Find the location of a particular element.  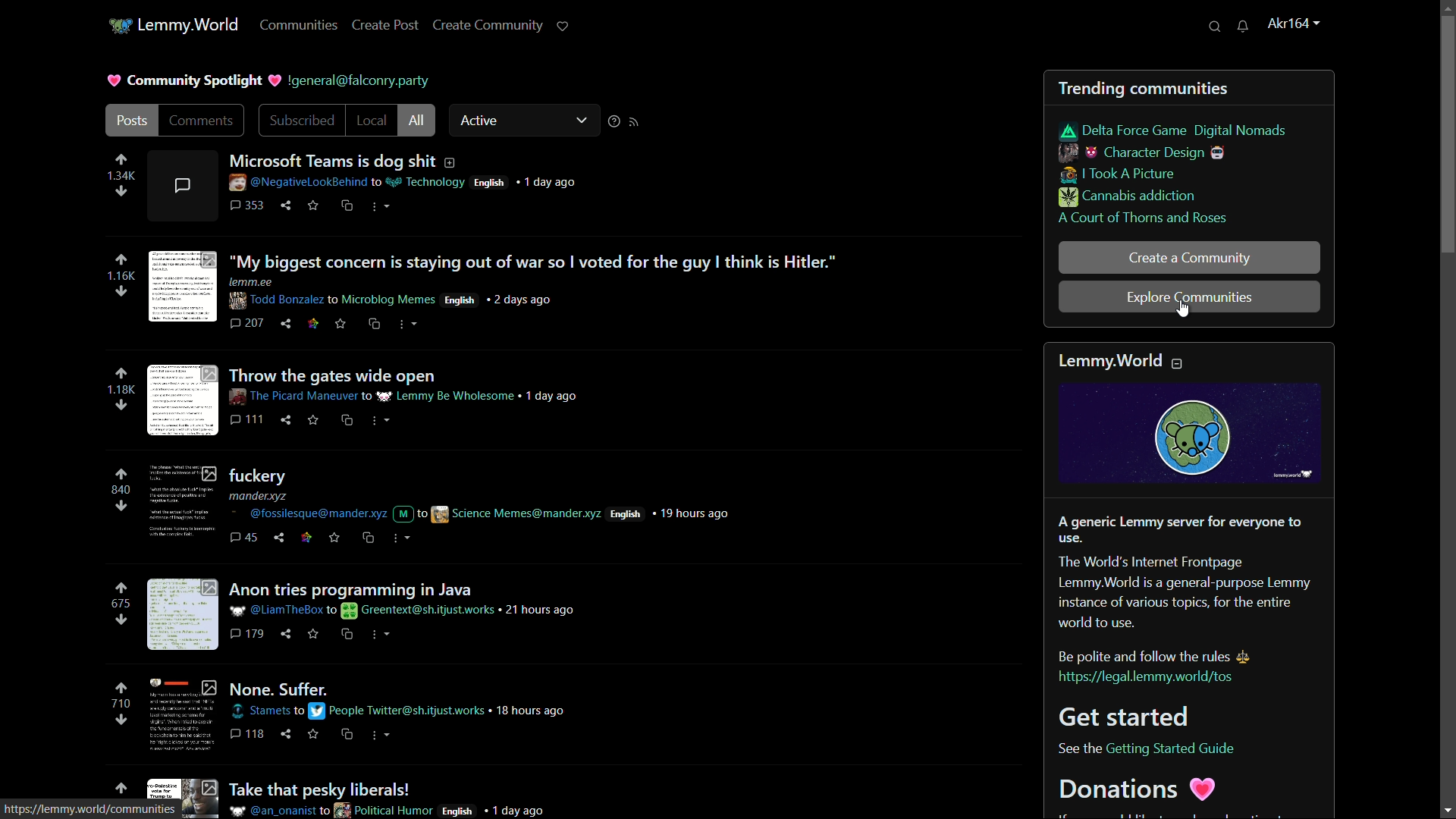

share is located at coordinates (281, 537).